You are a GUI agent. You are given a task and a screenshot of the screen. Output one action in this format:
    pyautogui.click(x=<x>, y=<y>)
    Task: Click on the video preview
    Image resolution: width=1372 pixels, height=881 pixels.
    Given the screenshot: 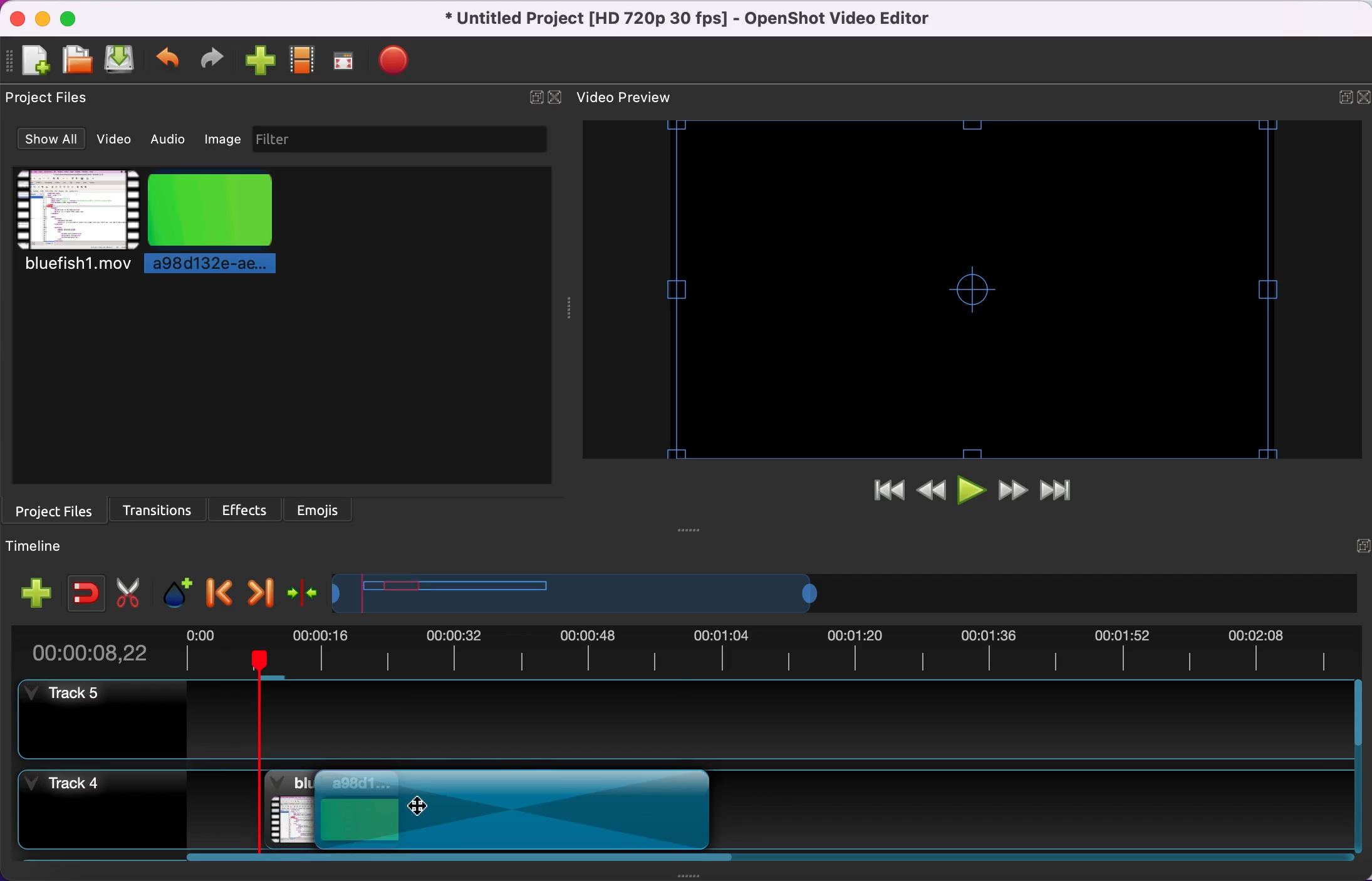 What is the action you would take?
    pyautogui.click(x=637, y=98)
    